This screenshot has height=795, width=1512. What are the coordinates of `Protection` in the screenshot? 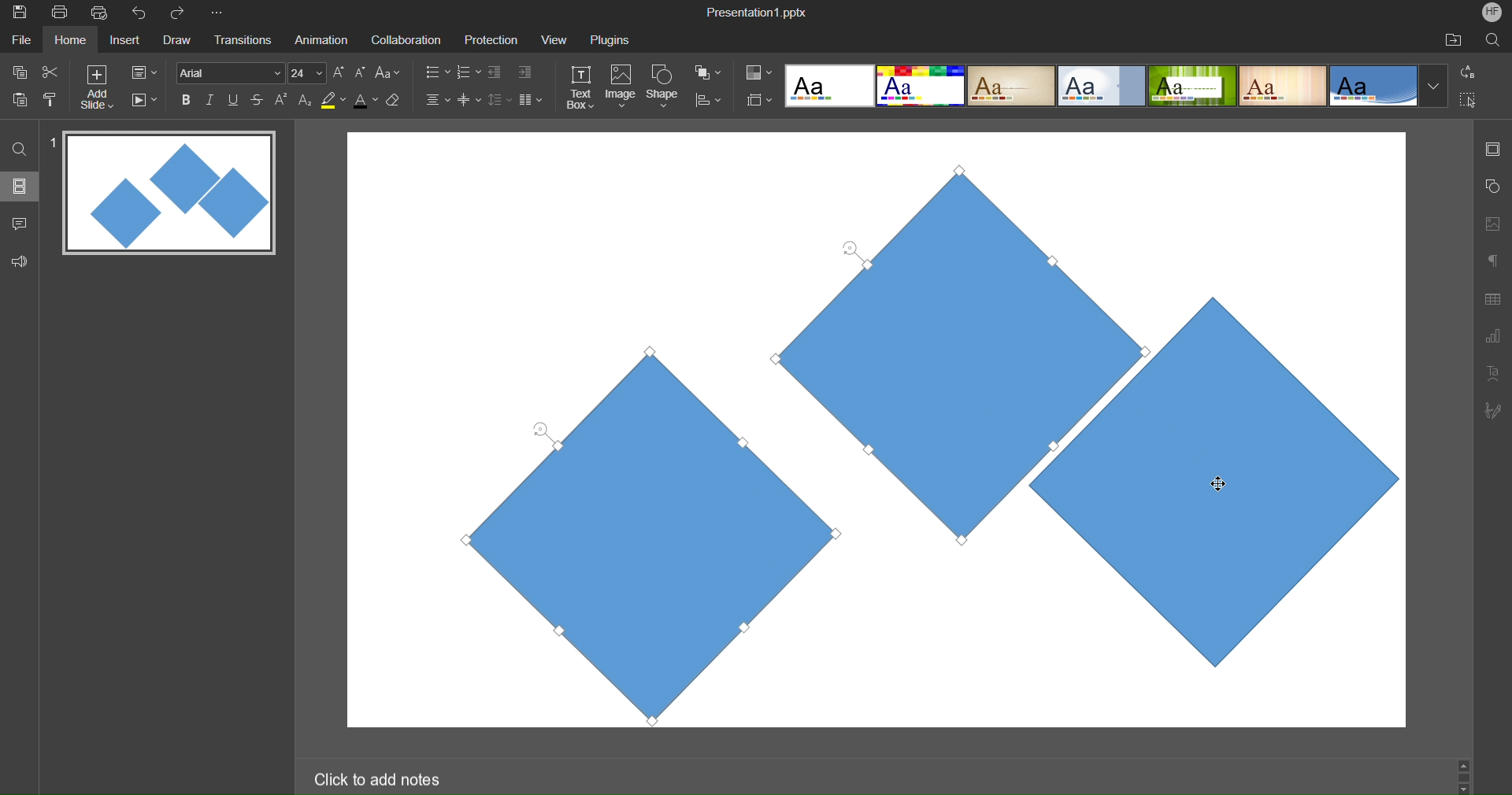 It's located at (484, 39).